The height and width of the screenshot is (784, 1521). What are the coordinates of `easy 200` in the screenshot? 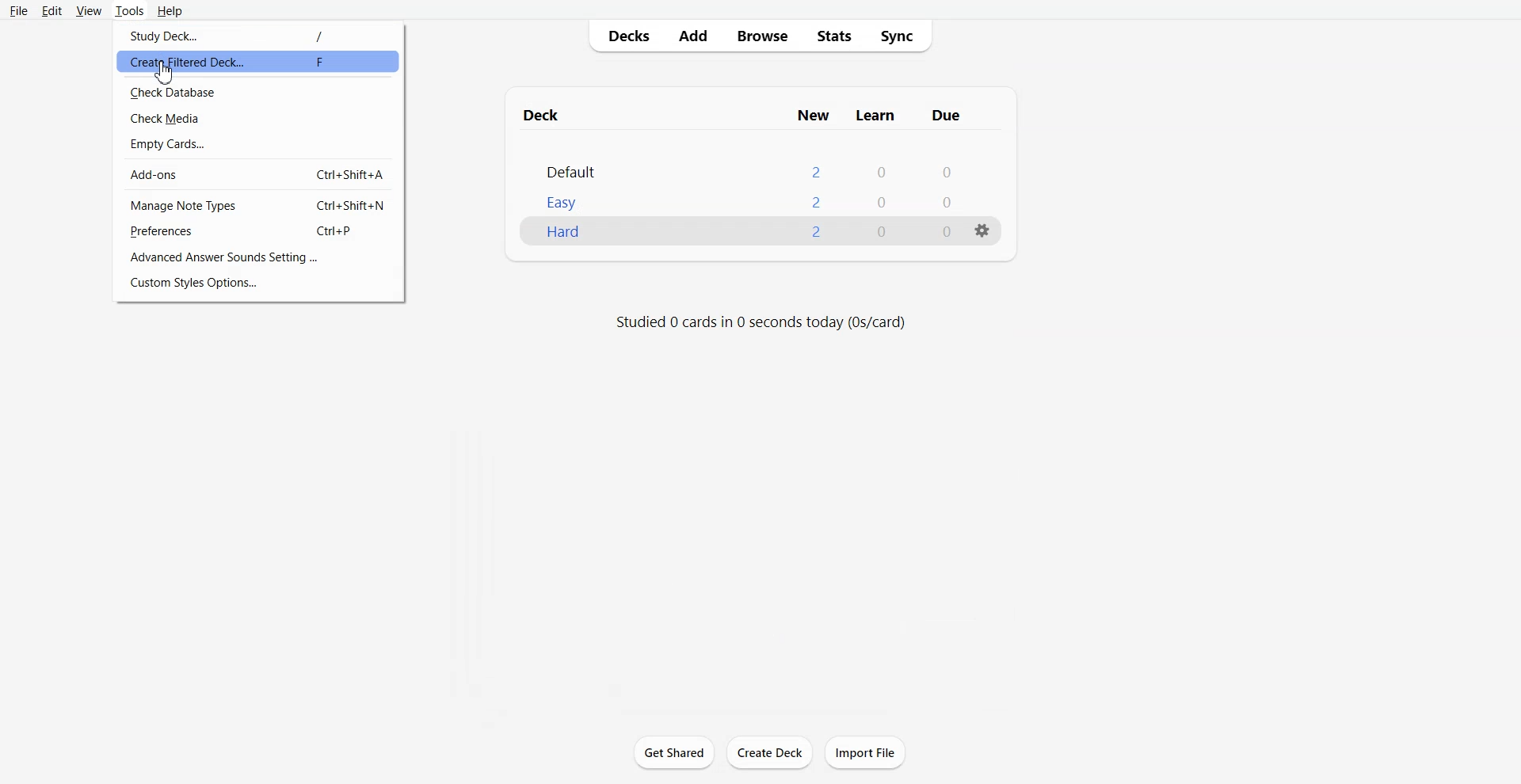 It's located at (733, 198).